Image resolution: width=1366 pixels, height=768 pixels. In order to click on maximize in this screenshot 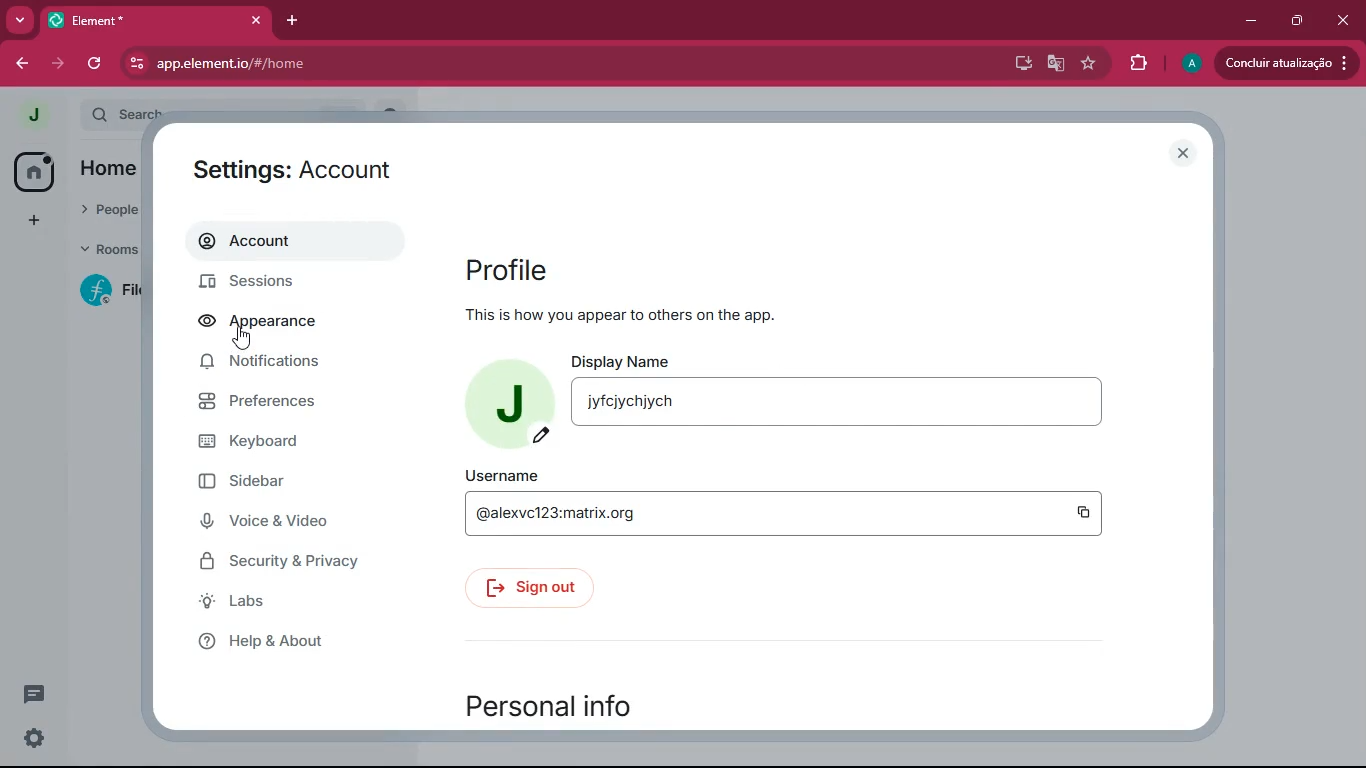, I will do `click(1301, 19)`.